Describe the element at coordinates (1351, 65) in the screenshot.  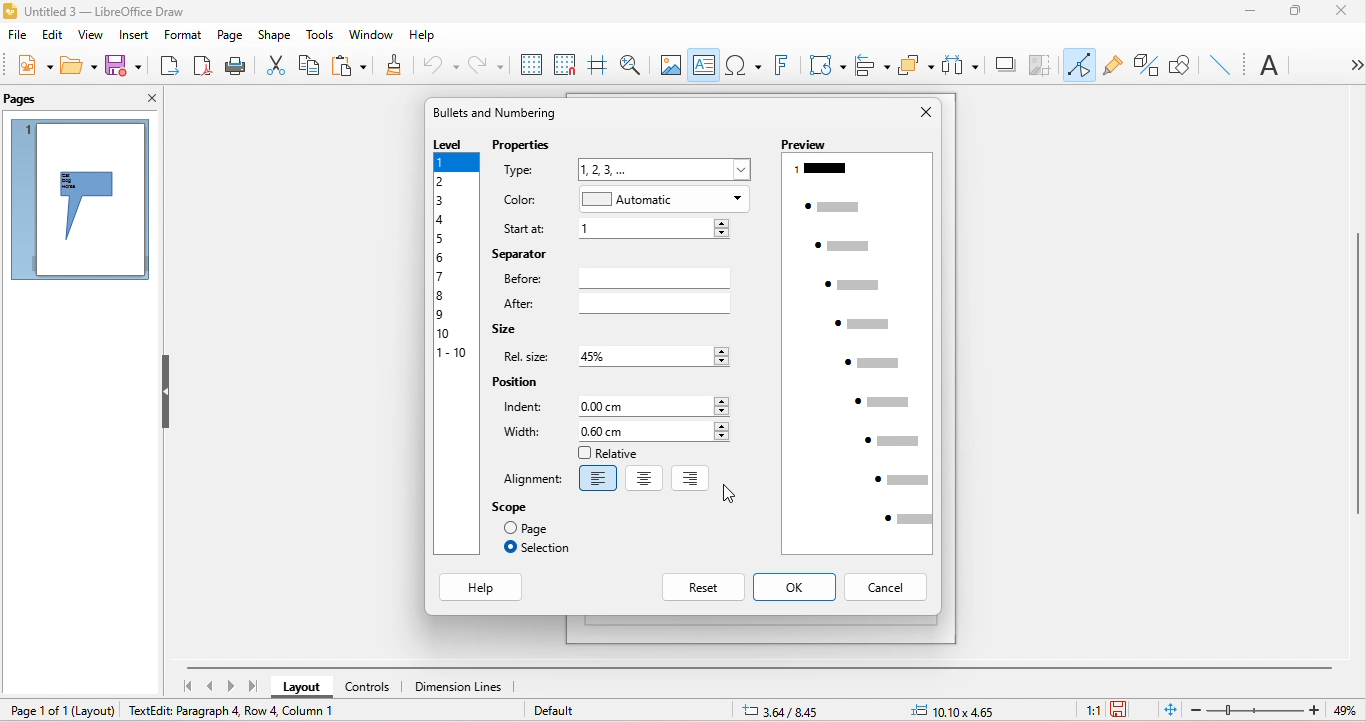
I see `option` at that location.